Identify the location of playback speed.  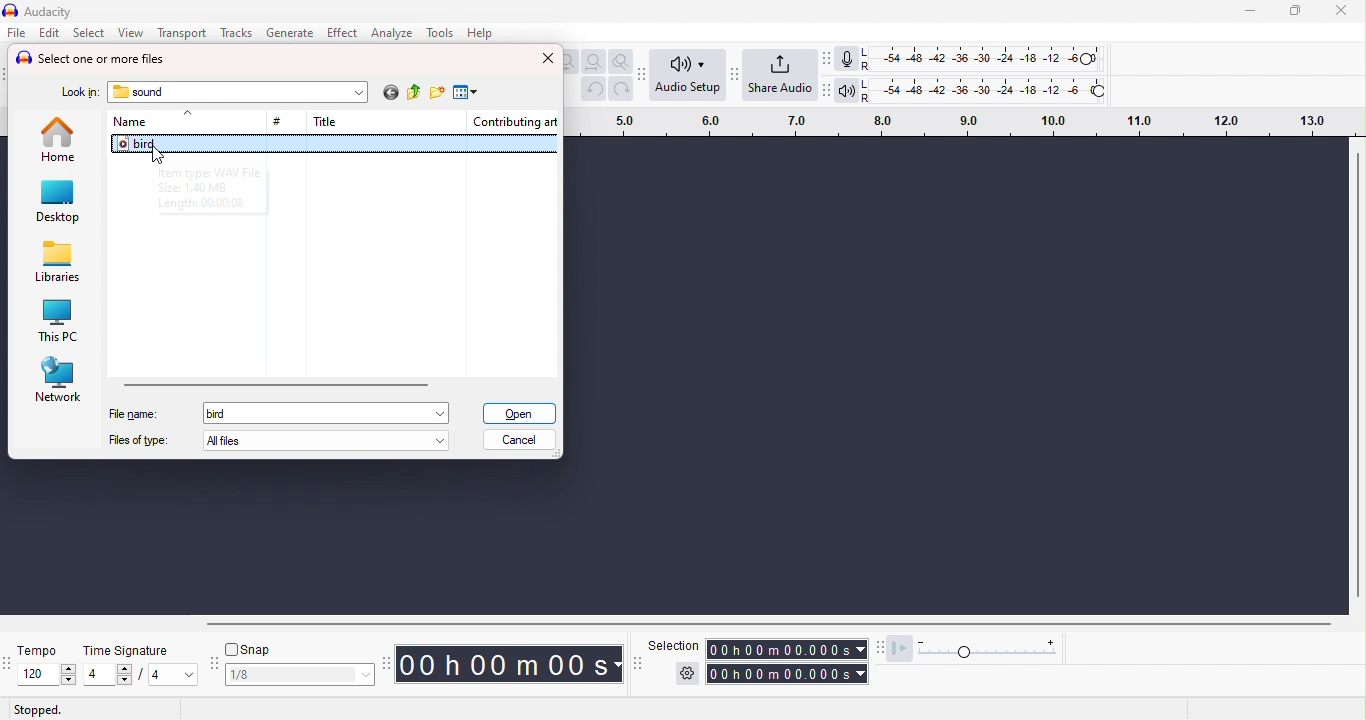
(992, 649).